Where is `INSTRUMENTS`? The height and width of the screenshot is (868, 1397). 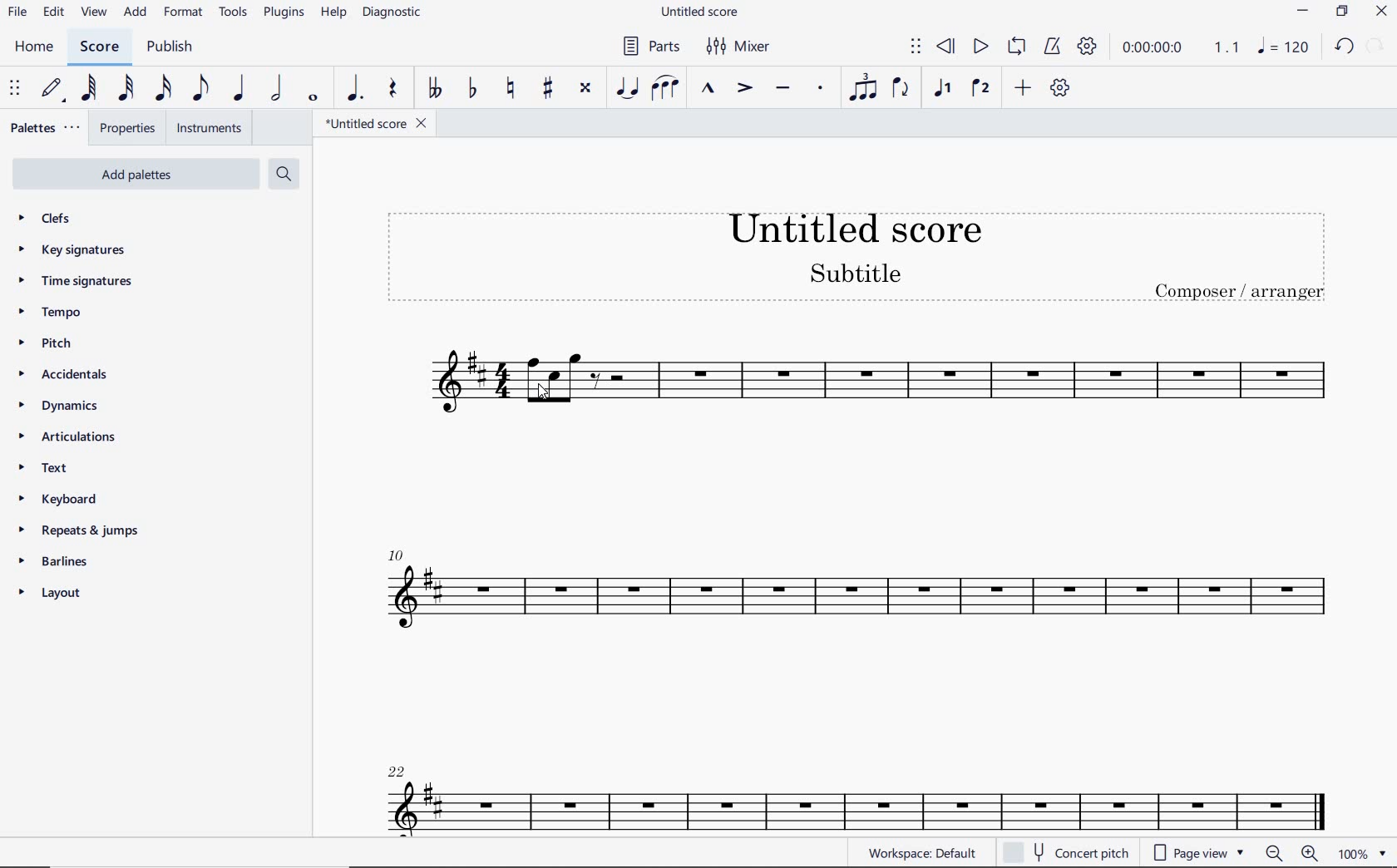 INSTRUMENTS is located at coordinates (208, 129).